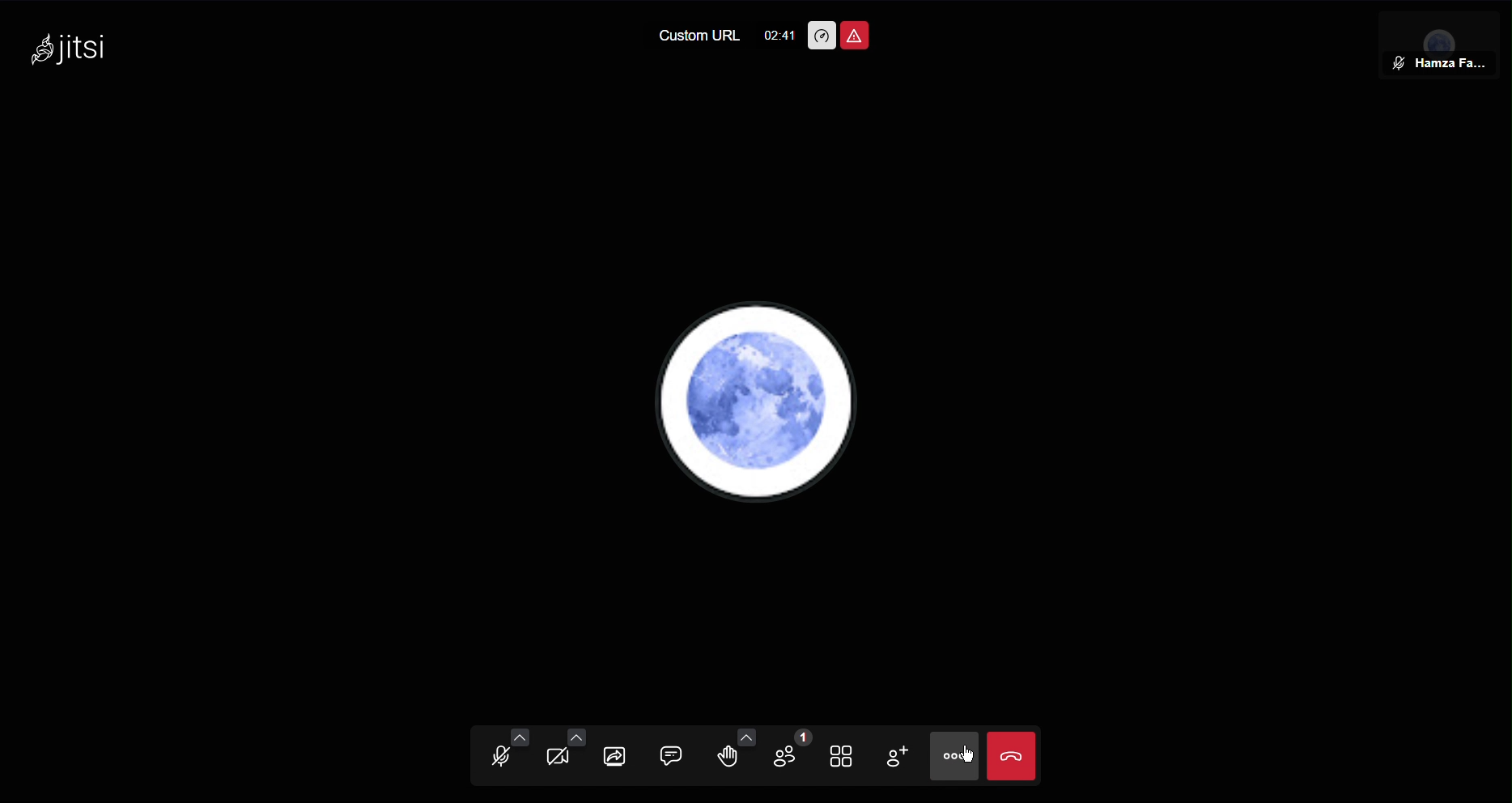 The image size is (1512, 803). What do you see at coordinates (855, 36) in the screenshot?
I see `Unsafe` at bounding box center [855, 36].